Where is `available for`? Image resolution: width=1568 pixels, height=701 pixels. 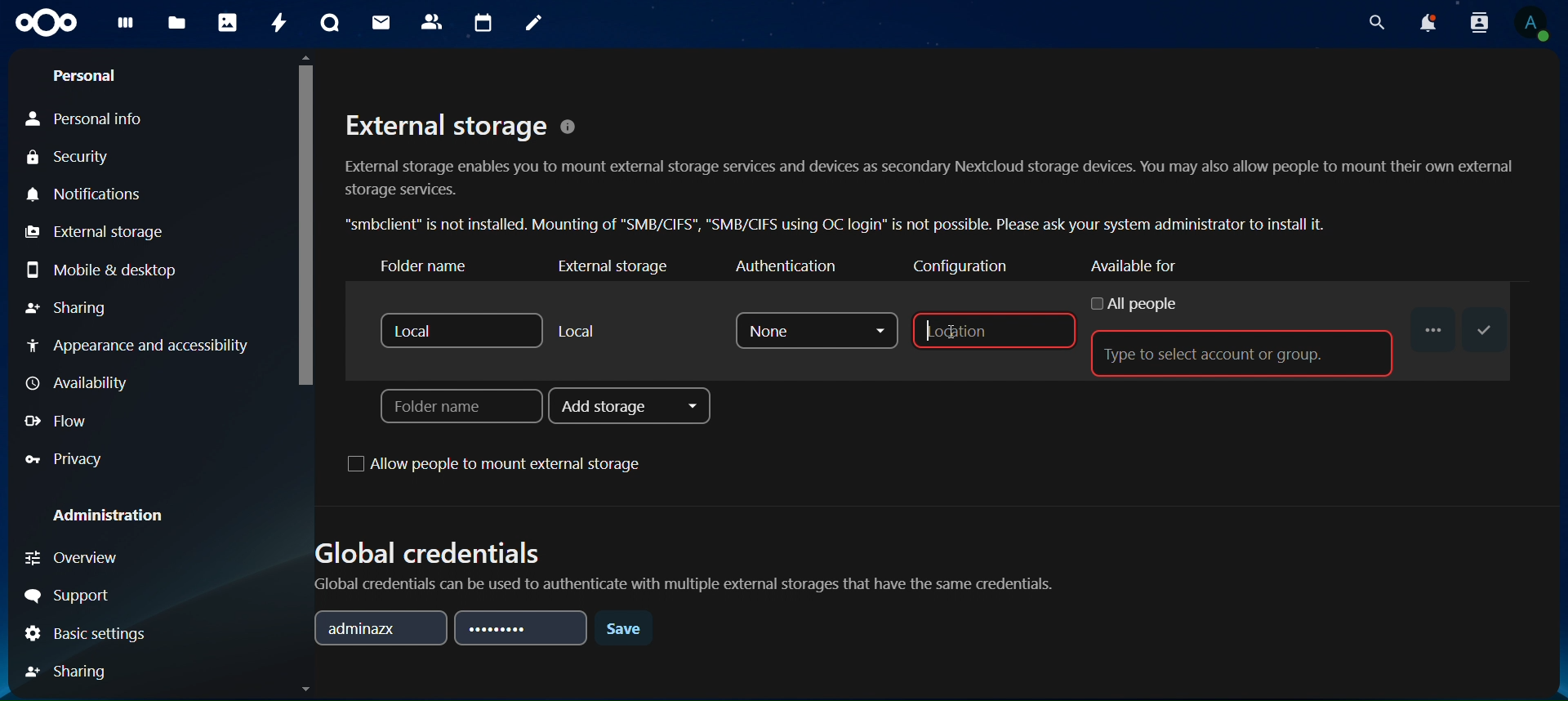
available for is located at coordinates (1150, 265).